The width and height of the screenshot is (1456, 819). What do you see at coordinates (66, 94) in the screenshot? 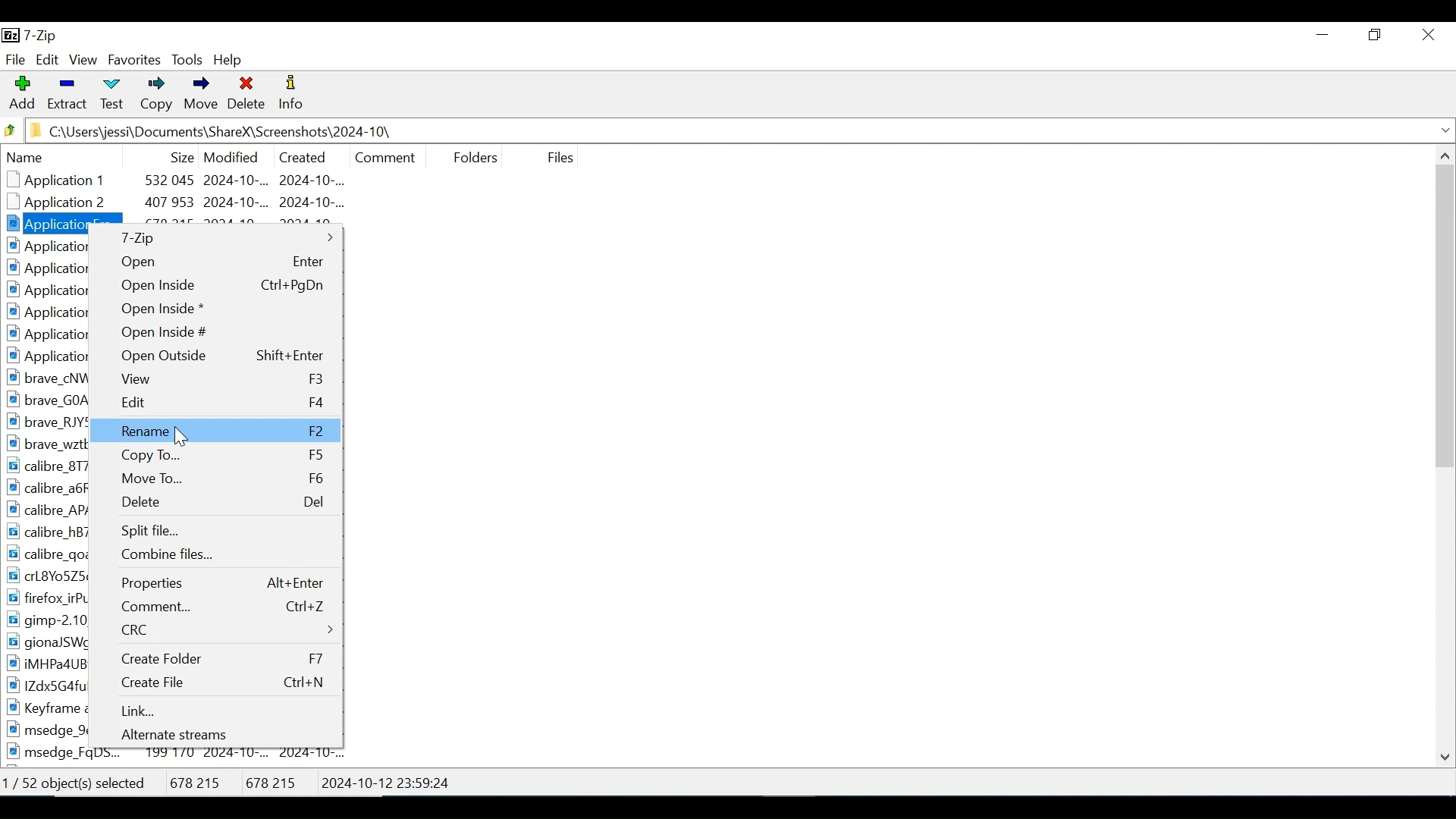
I see `Extract` at bounding box center [66, 94].